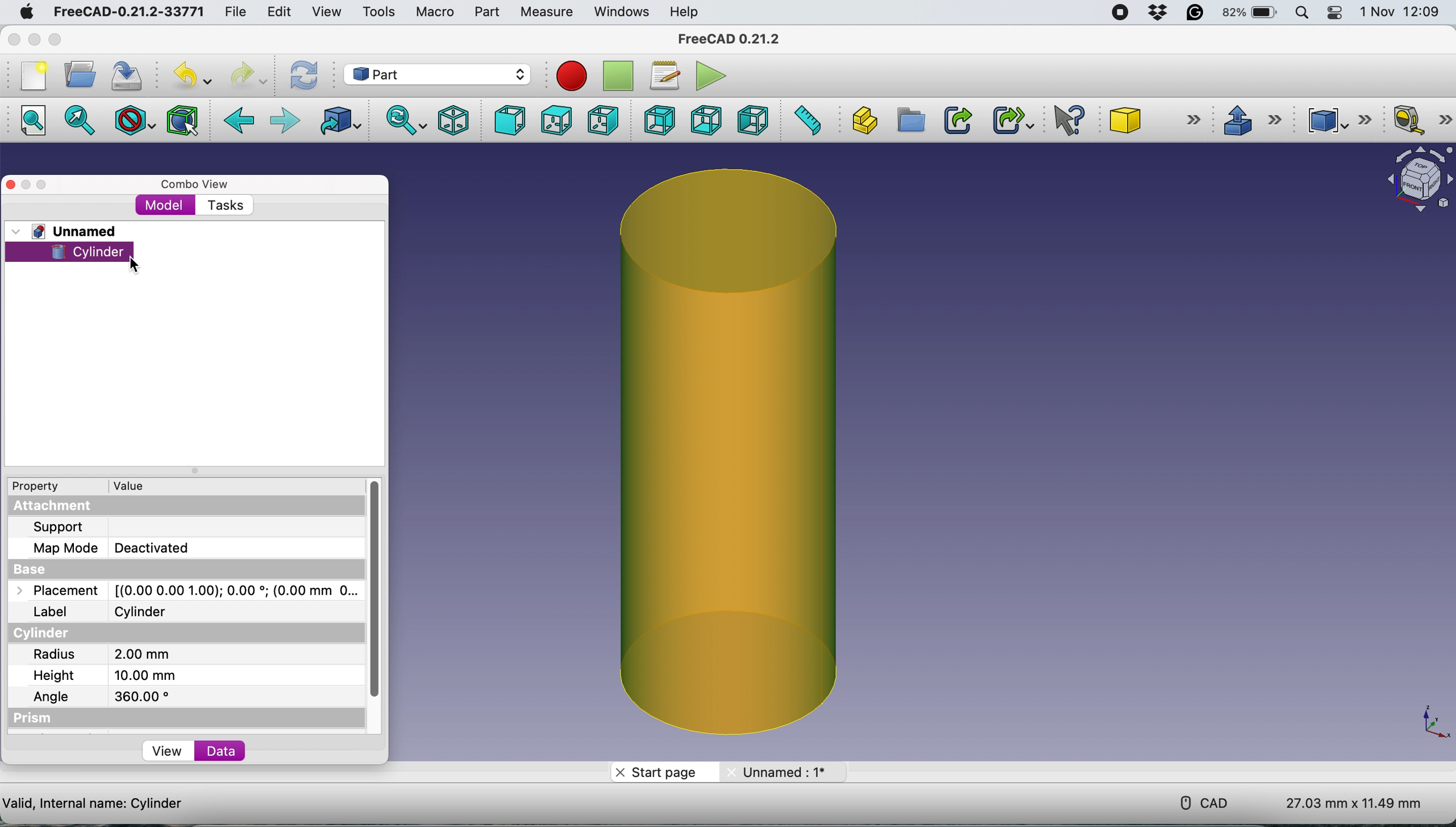  Describe the element at coordinates (623, 14) in the screenshot. I see `windows` at that location.